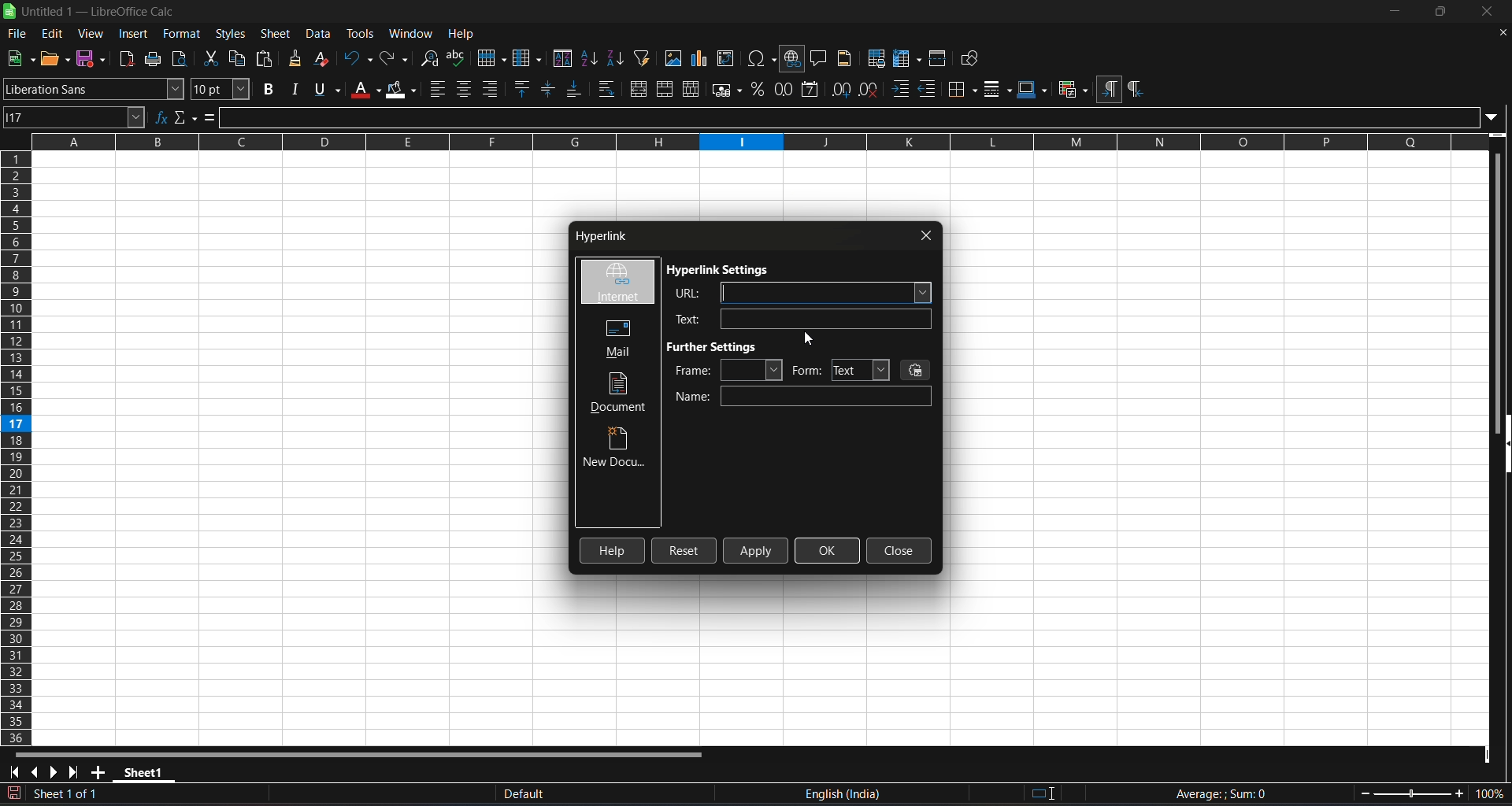  What do you see at coordinates (97, 772) in the screenshot?
I see `add new sheet` at bounding box center [97, 772].